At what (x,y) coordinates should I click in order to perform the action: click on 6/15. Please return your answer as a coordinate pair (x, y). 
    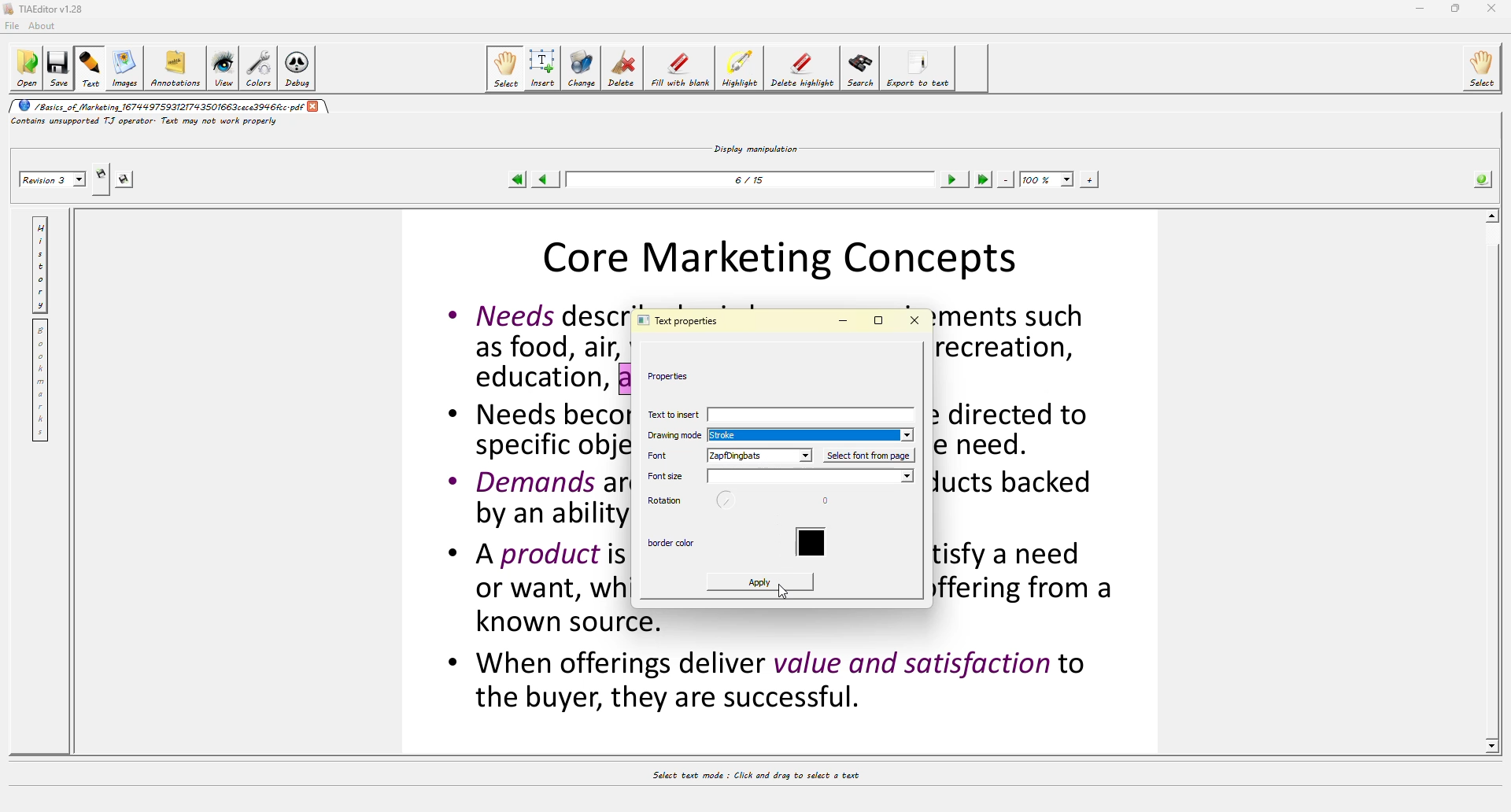
    Looking at the image, I should click on (752, 184).